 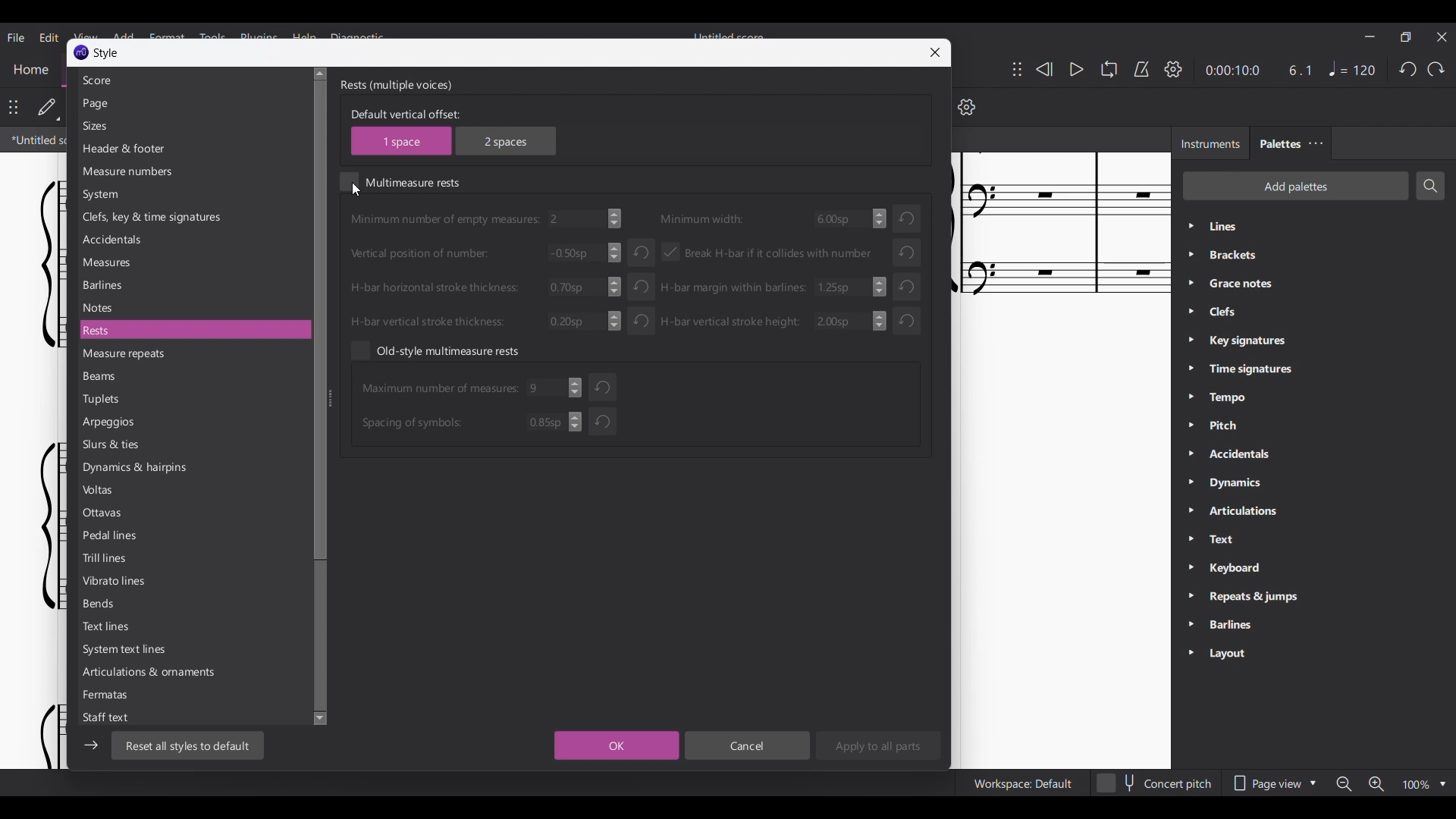 I want to click on Play, so click(x=1076, y=70).